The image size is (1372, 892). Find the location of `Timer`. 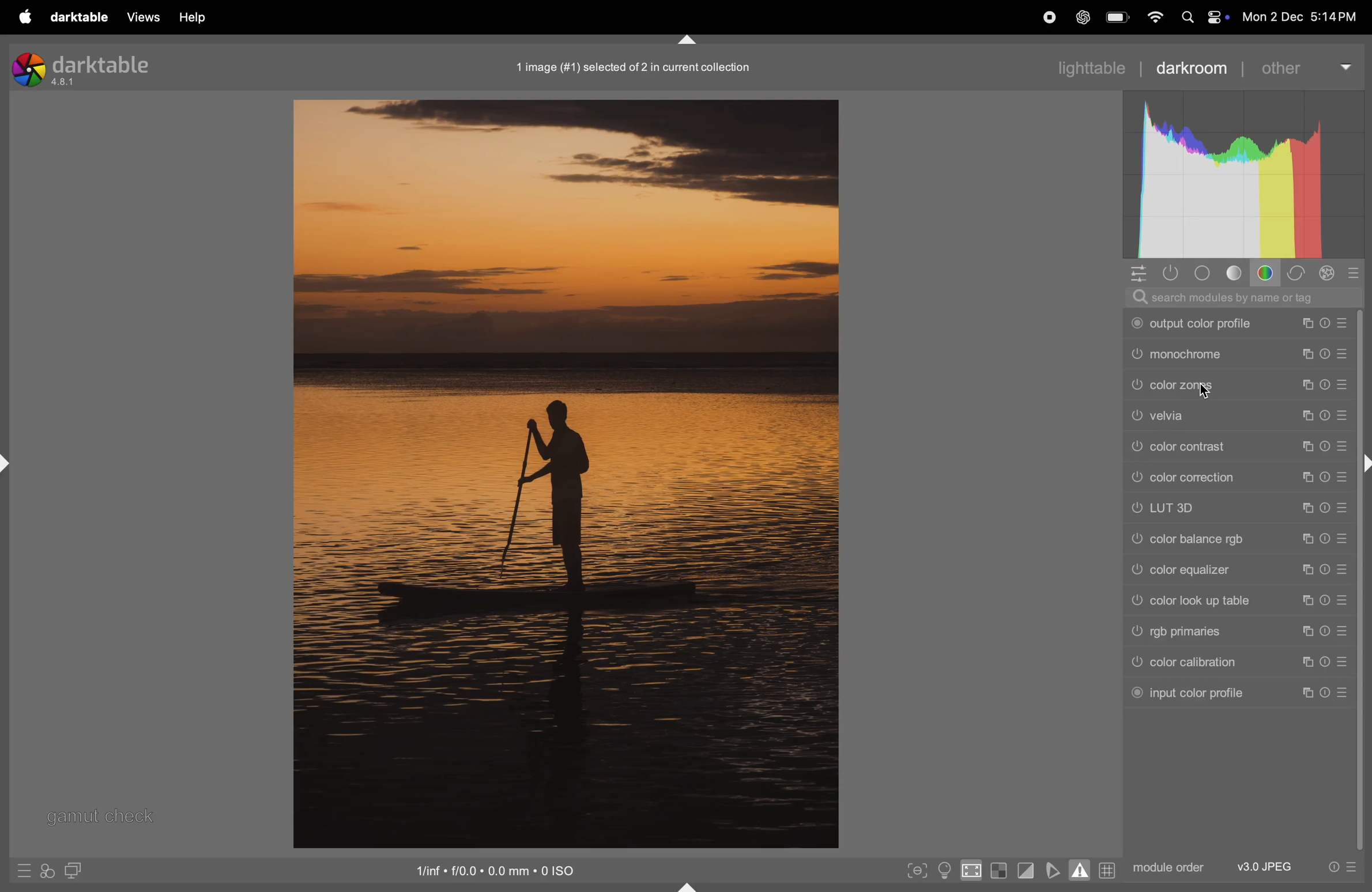

Timer is located at coordinates (1342, 353).